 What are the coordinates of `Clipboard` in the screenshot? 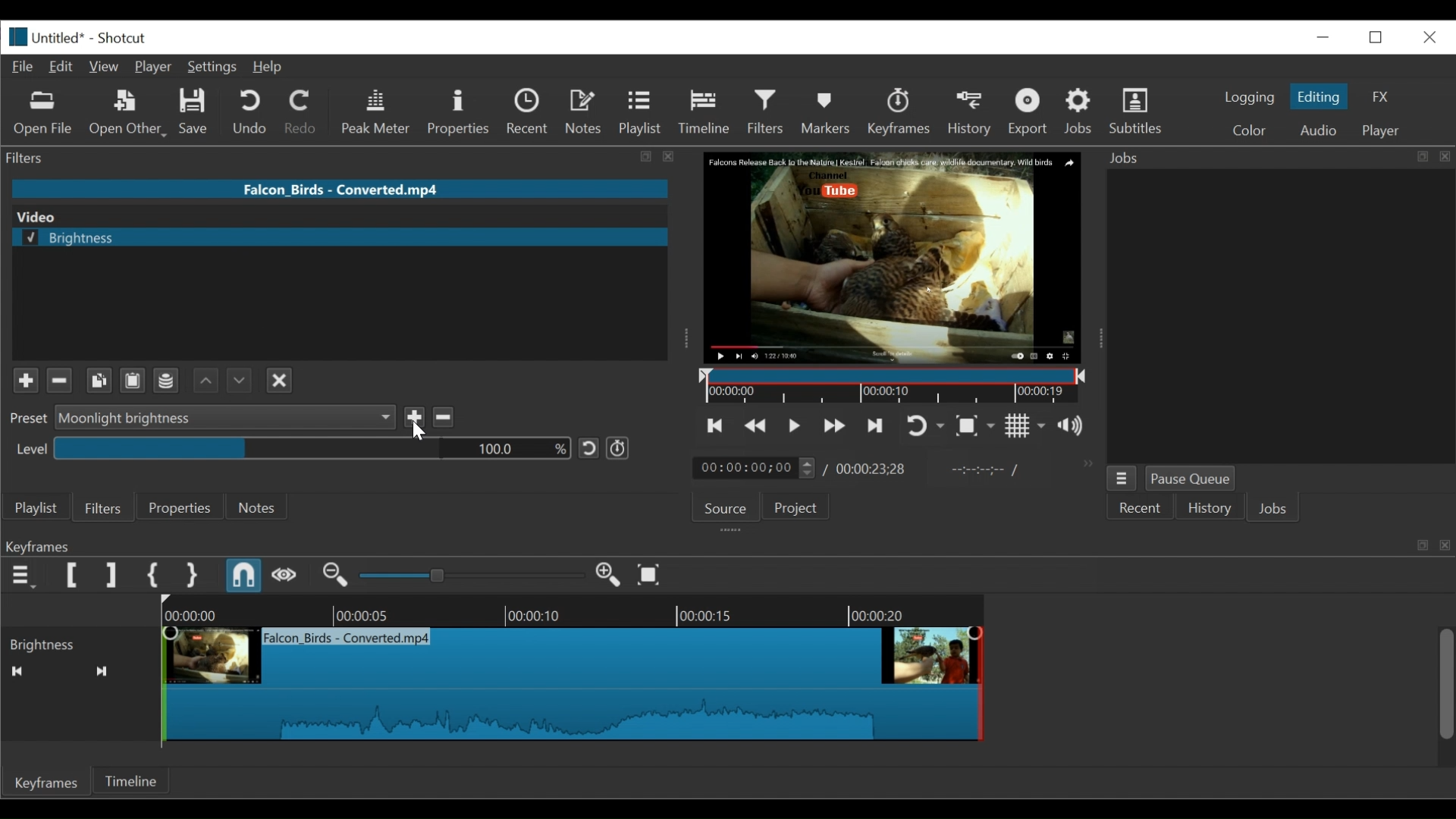 It's located at (131, 381).